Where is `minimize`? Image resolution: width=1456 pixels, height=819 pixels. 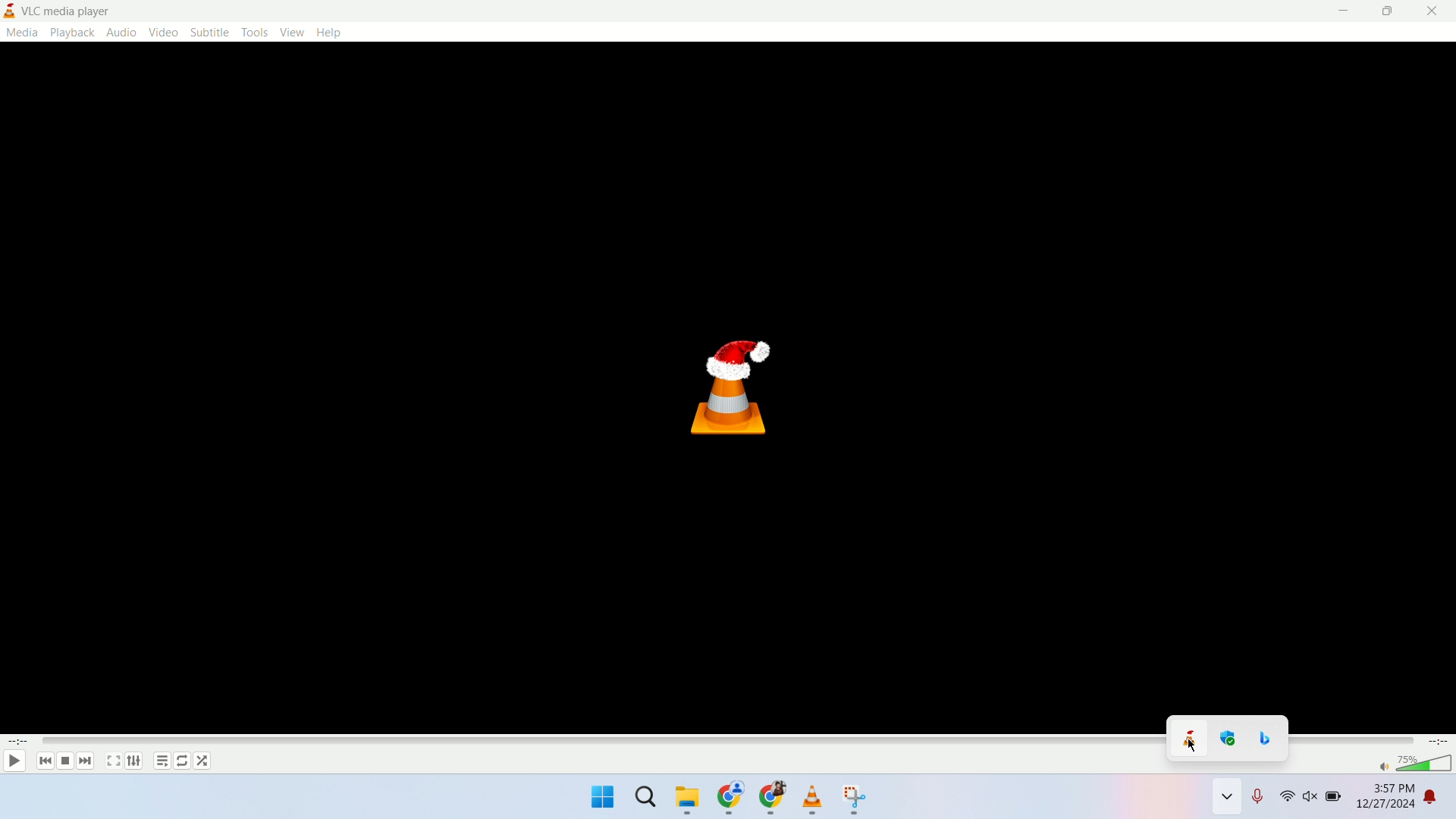 minimize is located at coordinates (1345, 11).